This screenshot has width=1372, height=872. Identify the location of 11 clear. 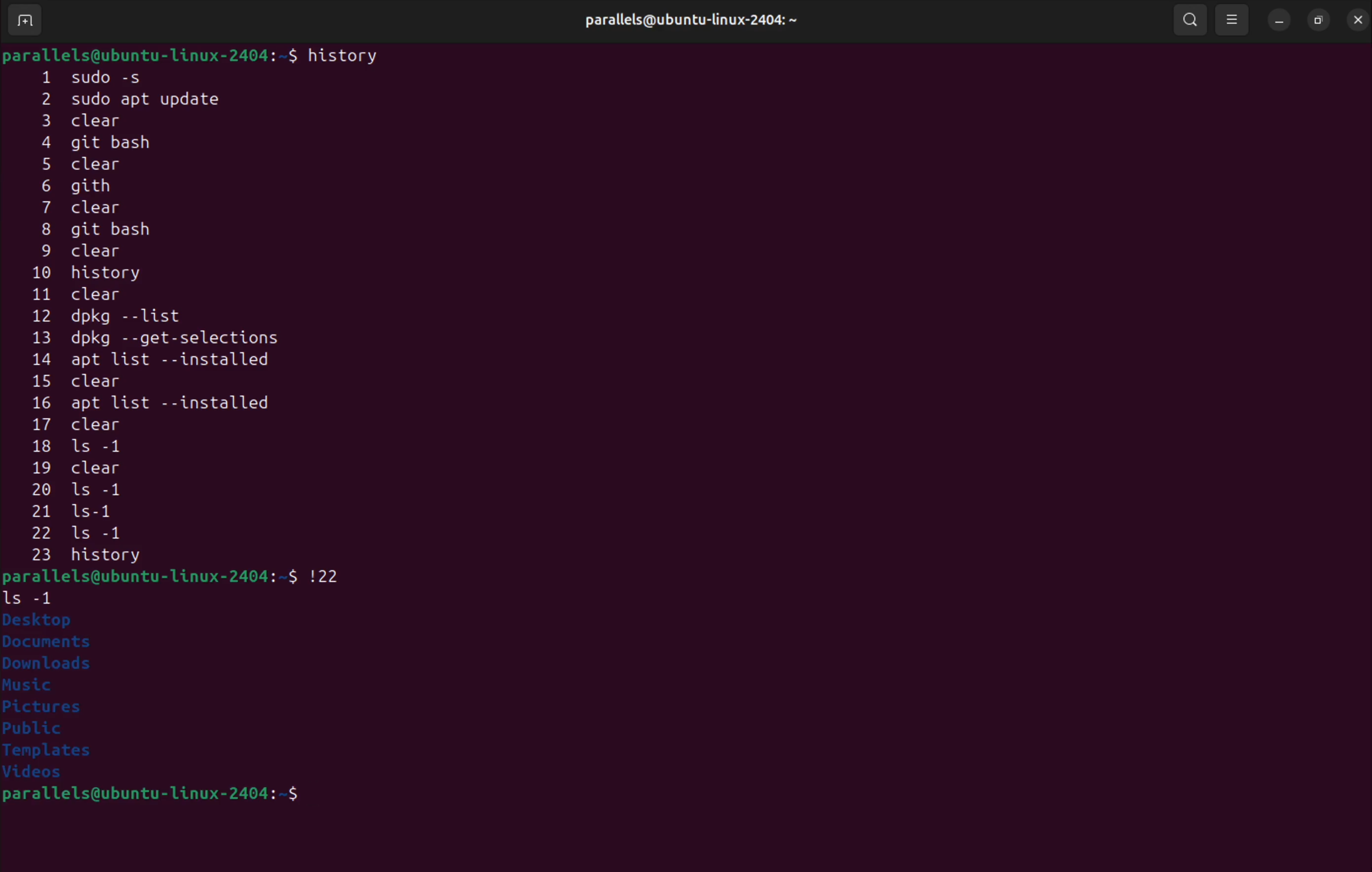
(96, 294).